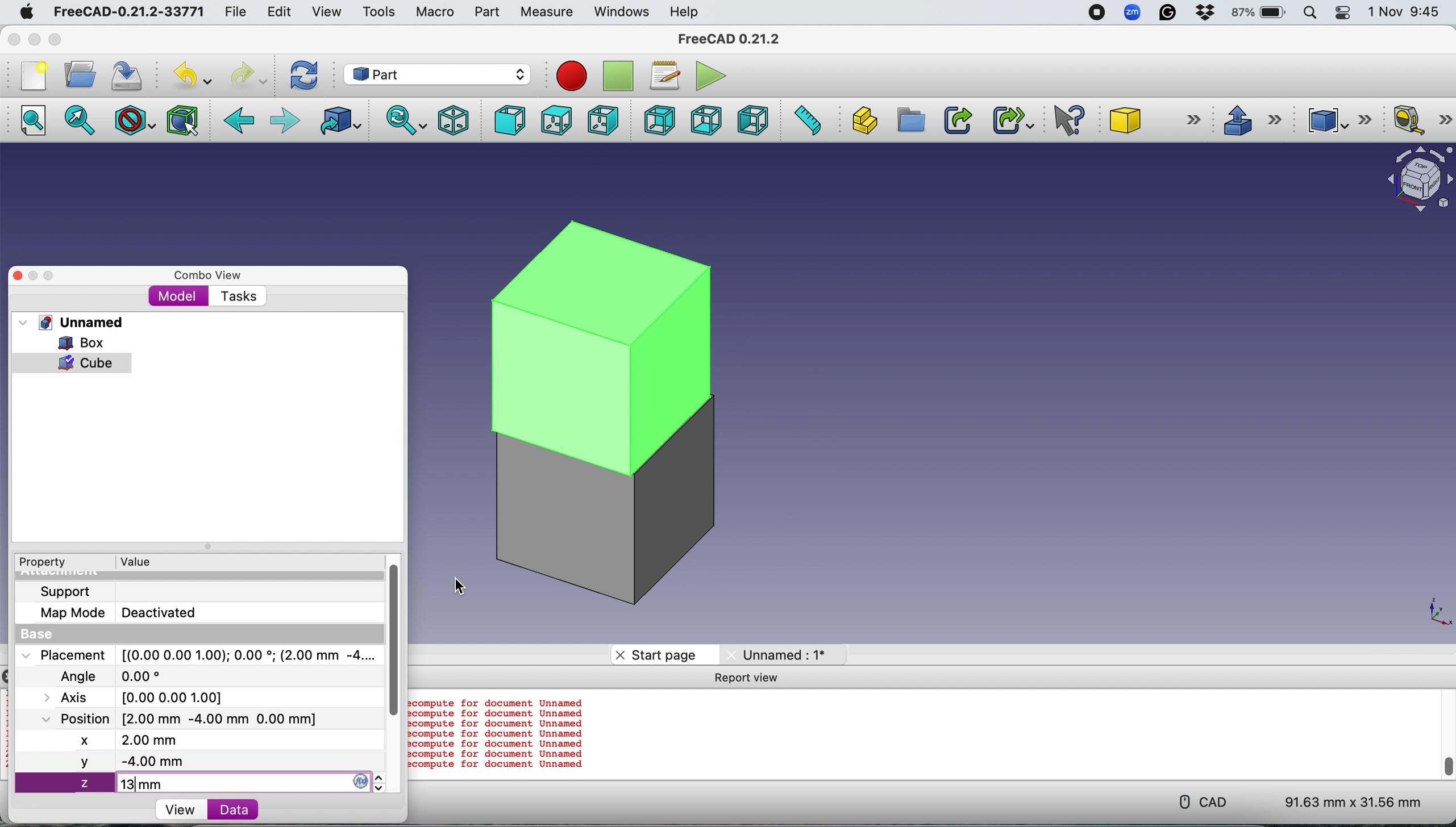 This screenshot has width=1456, height=827. Describe the element at coordinates (685, 11) in the screenshot. I see `Help` at that location.